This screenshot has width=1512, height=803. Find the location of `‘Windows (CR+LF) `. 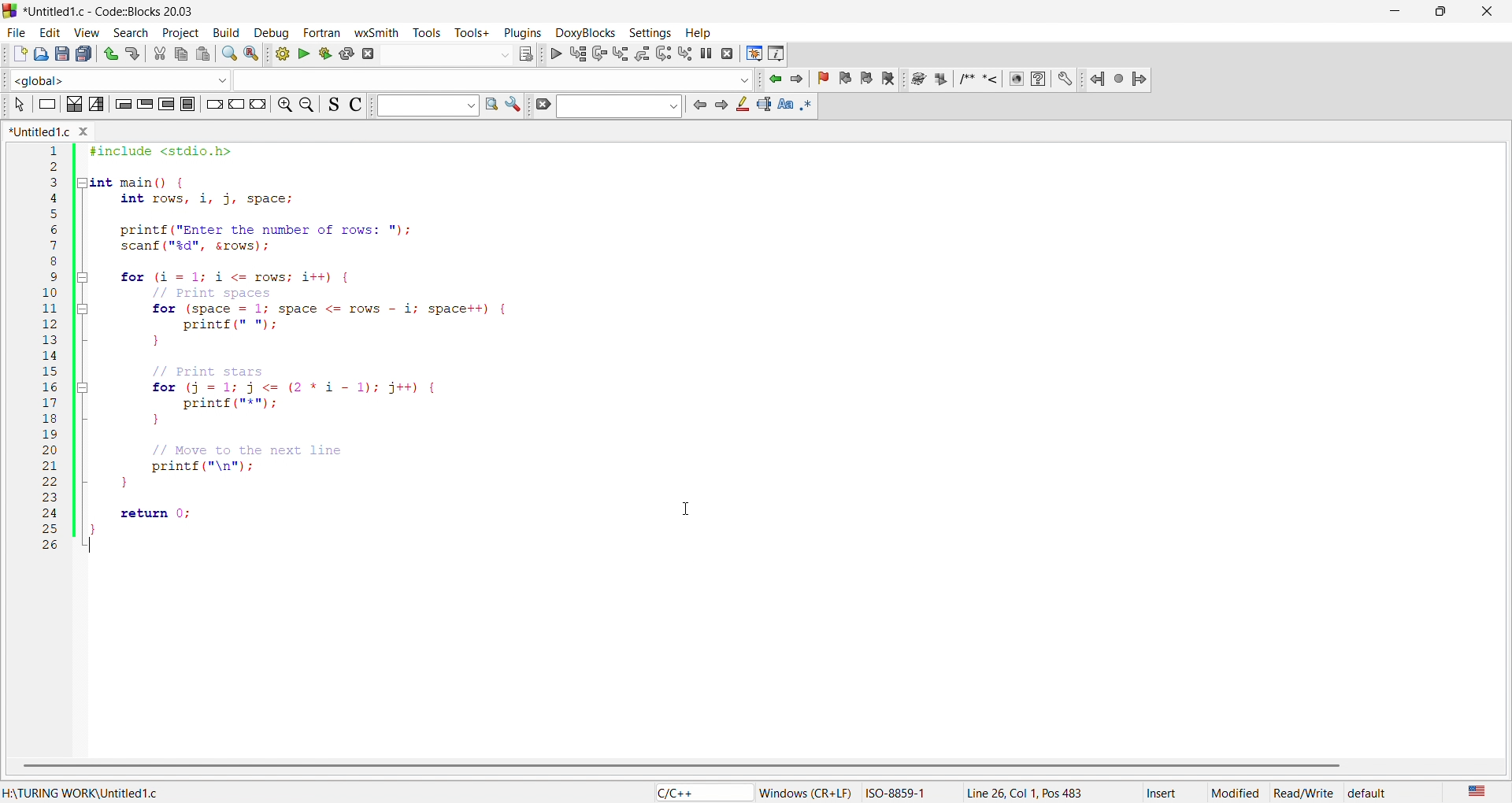

‘Windows (CR+LF)  is located at coordinates (806, 791).